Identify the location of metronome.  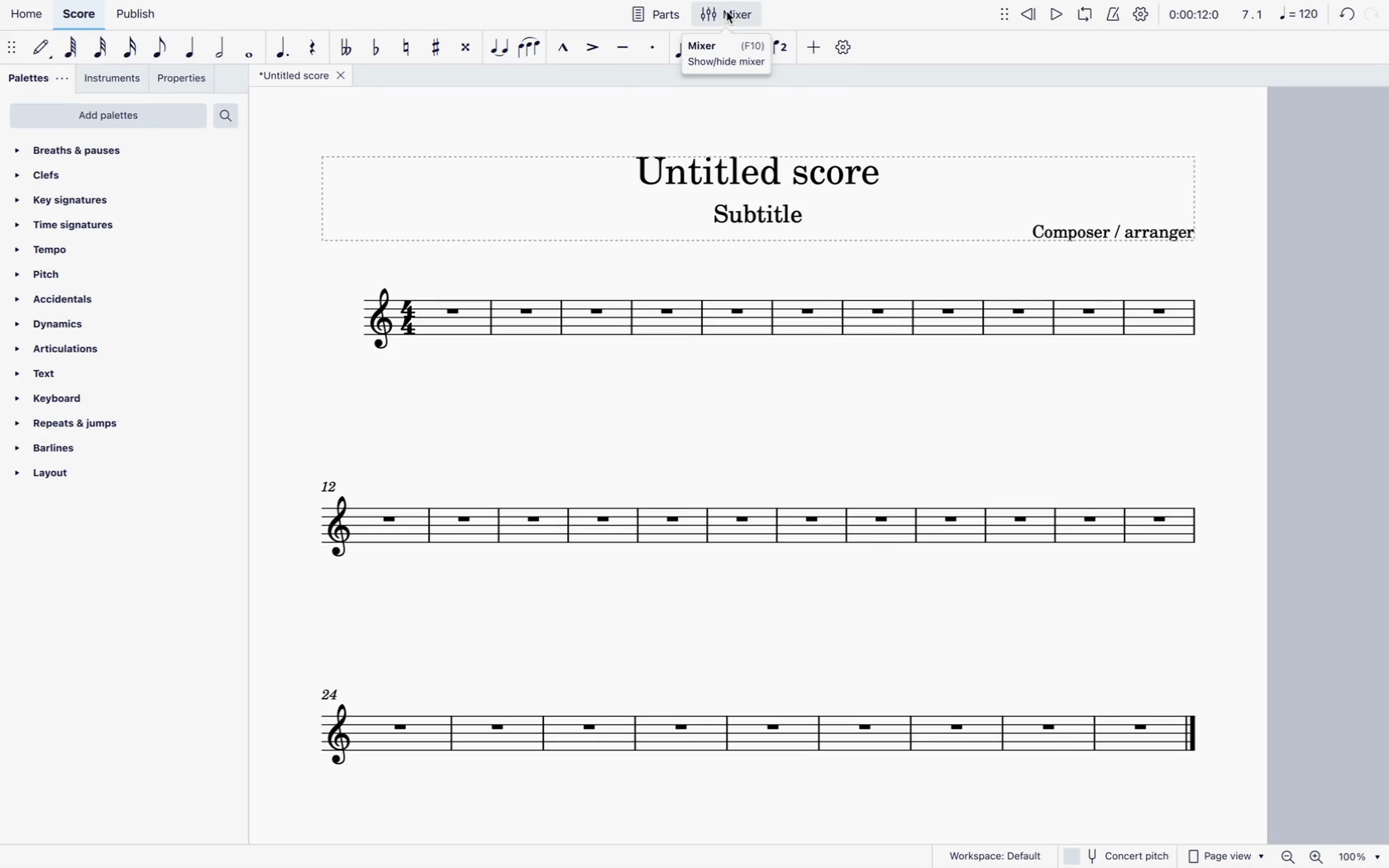
(1116, 14).